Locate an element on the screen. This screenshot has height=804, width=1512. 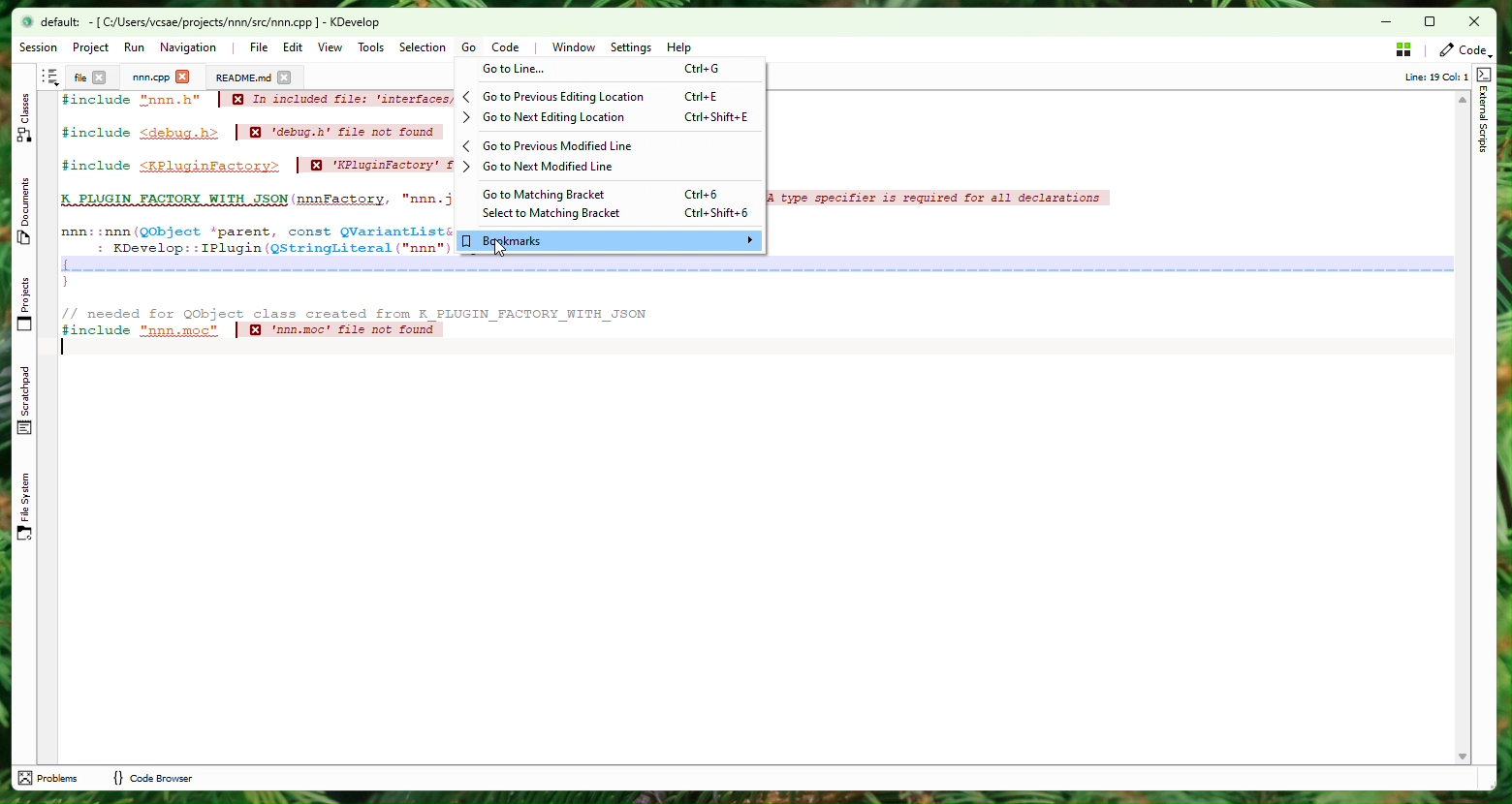
File is located at coordinates (258, 46).